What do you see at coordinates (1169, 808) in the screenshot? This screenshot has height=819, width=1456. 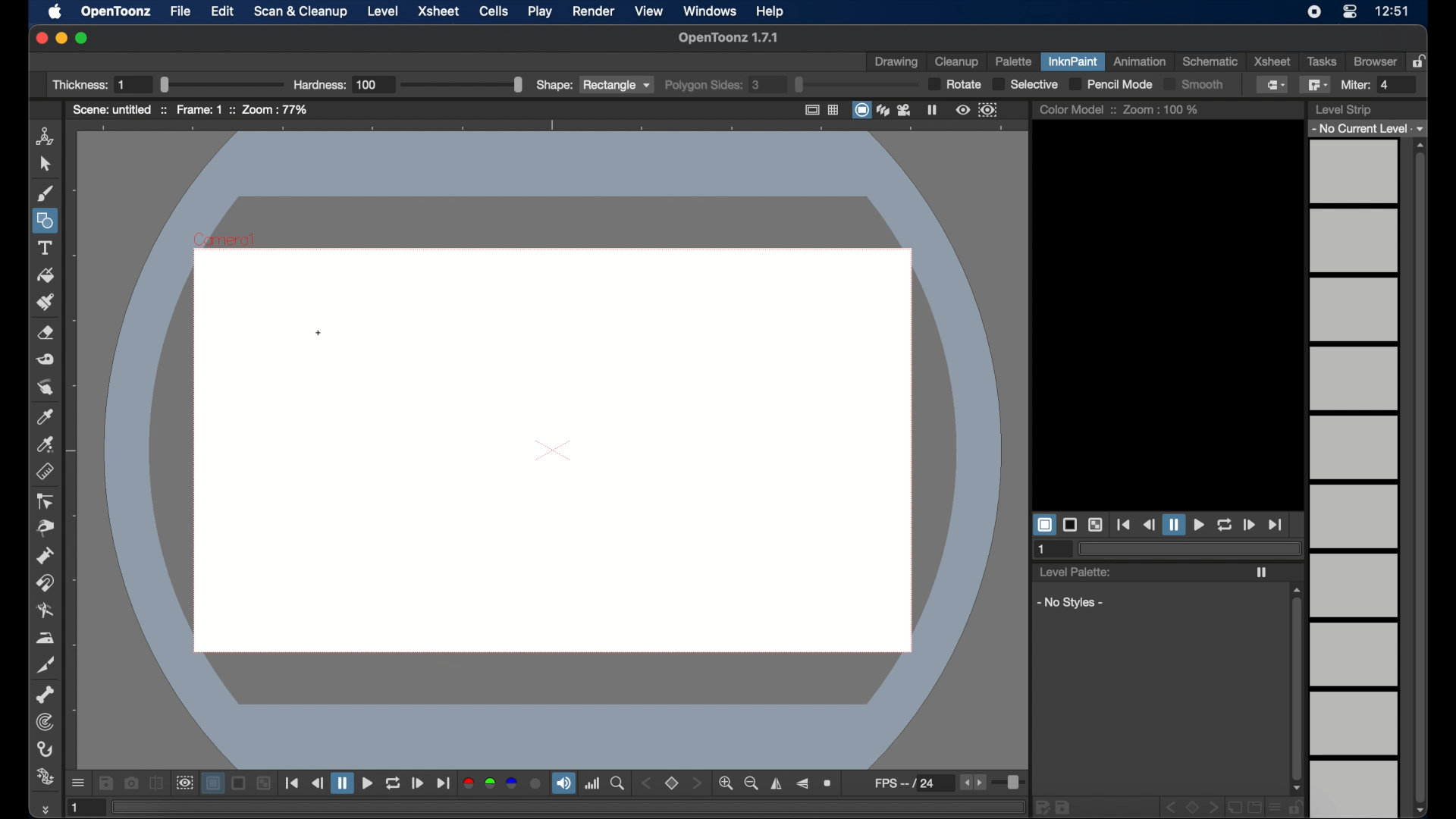 I see `disabled icons` at bounding box center [1169, 808].